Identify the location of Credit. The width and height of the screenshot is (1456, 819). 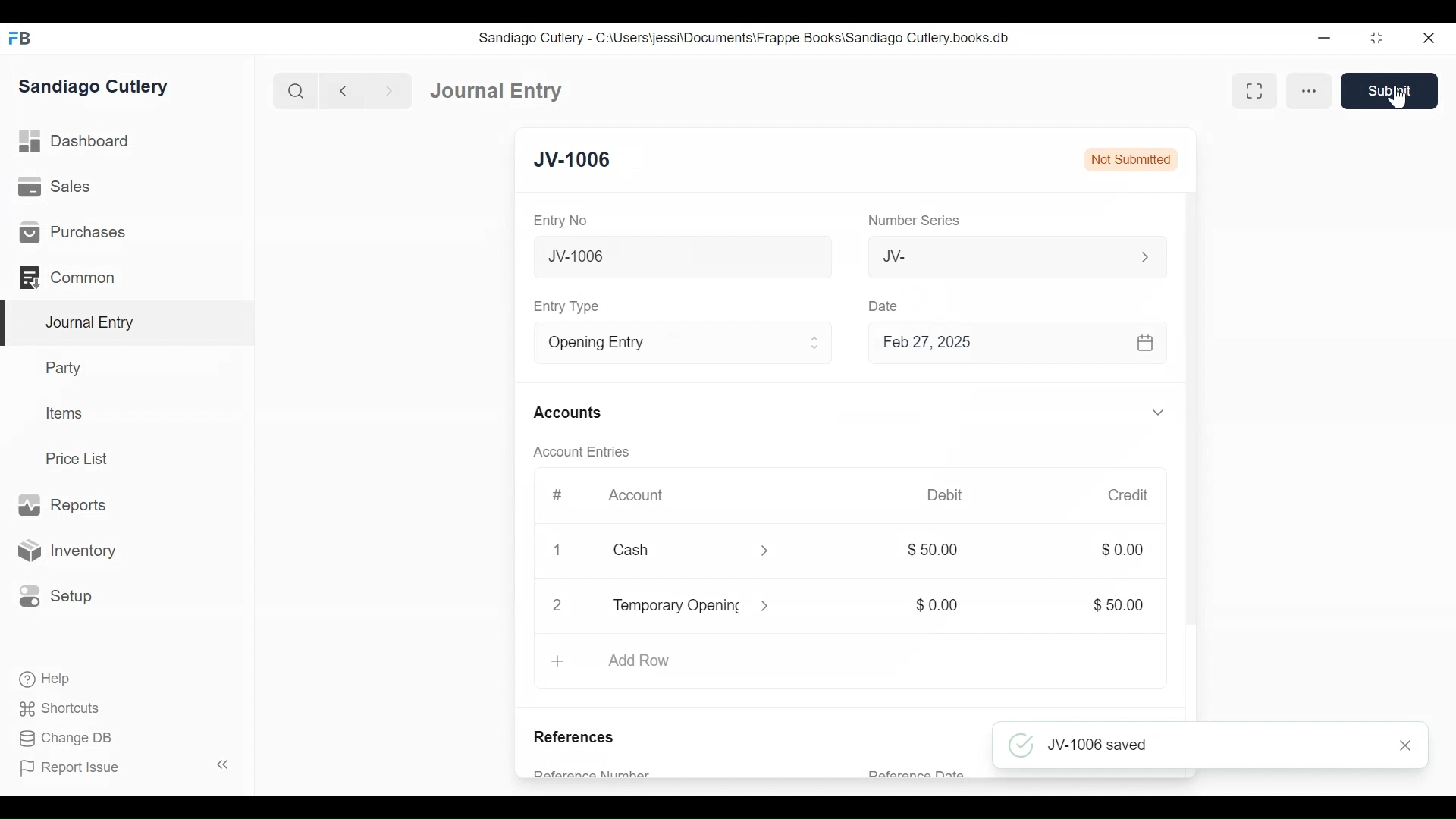
(1130, 495).